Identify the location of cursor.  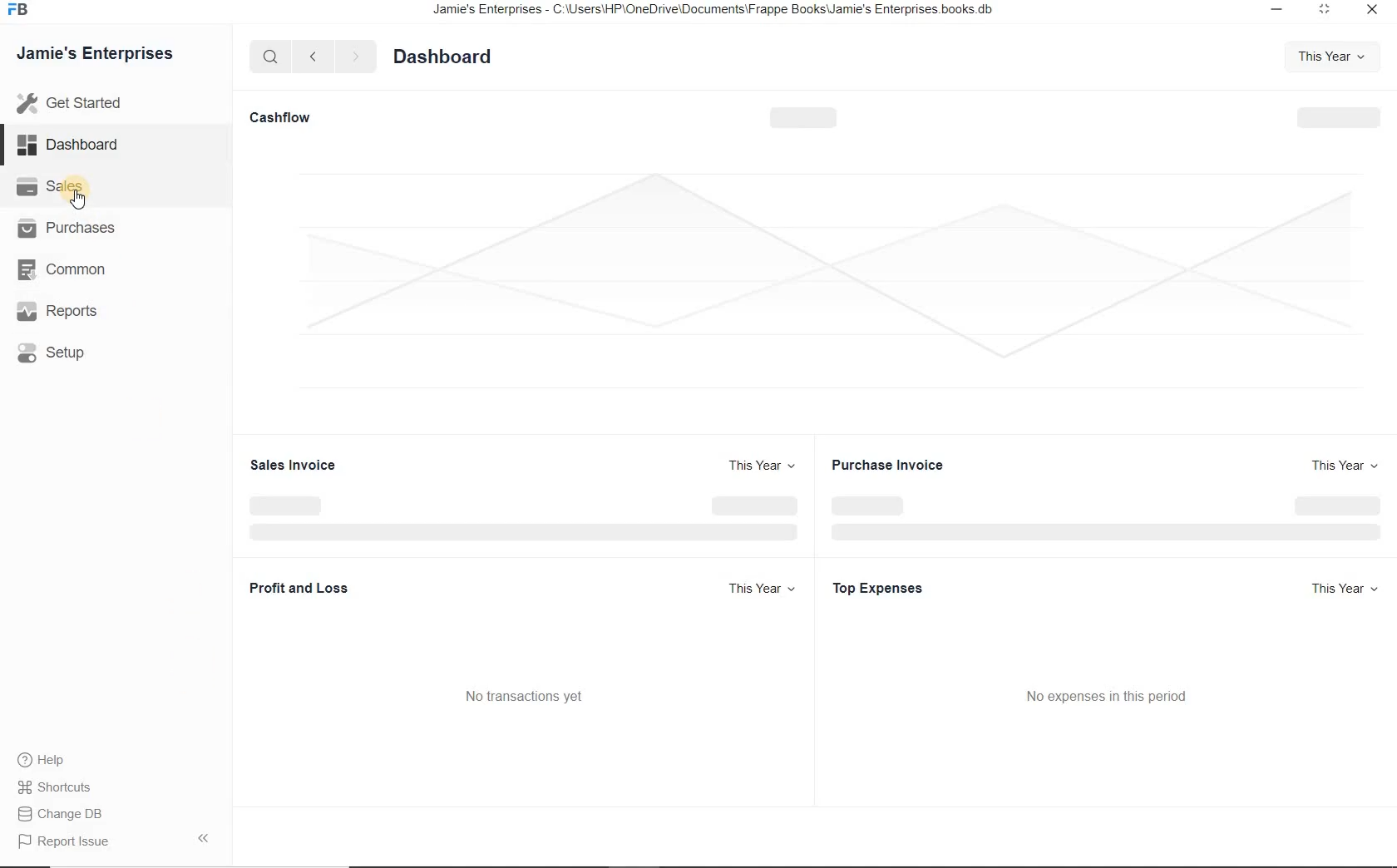
(81, 201).